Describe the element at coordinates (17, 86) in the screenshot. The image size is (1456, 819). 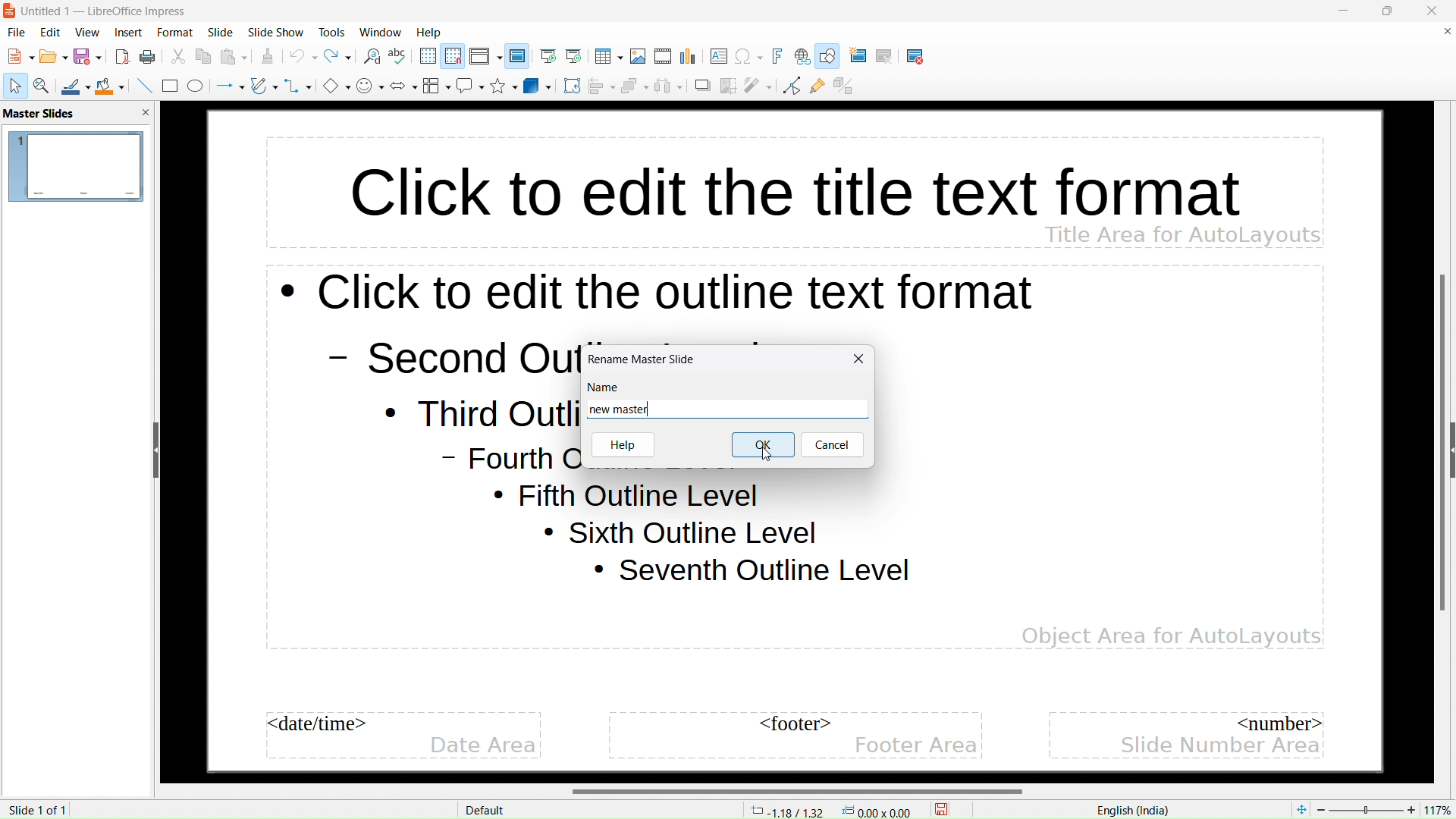
I see `select` at that location.